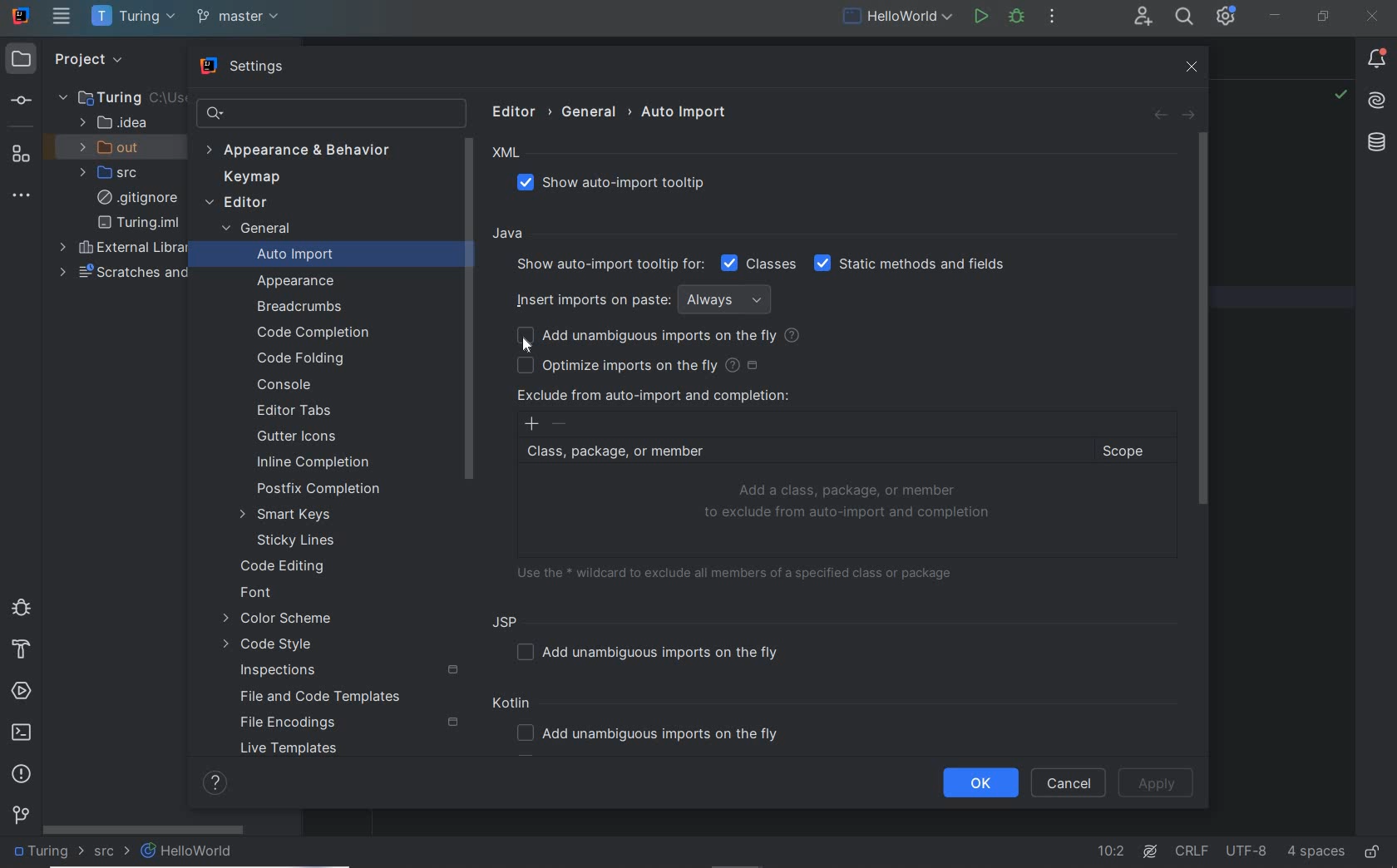 The image size is (1397, 868). What do you see at coordinates (1131, 451) in the screenshot?
I see `SCOPE` at bounding box center [1131, 451].